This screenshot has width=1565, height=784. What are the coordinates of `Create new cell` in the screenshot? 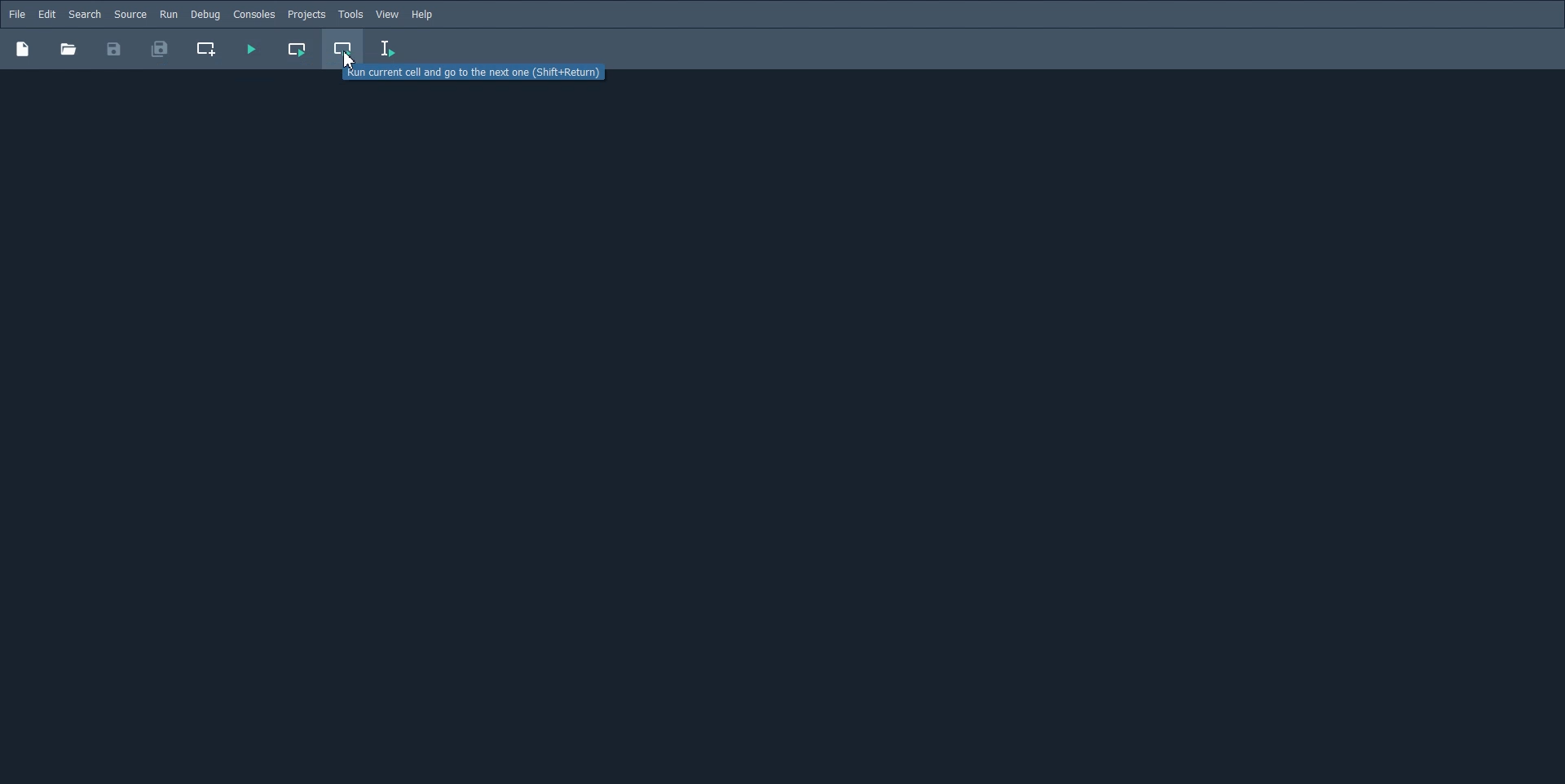 It's located at (207, 49).